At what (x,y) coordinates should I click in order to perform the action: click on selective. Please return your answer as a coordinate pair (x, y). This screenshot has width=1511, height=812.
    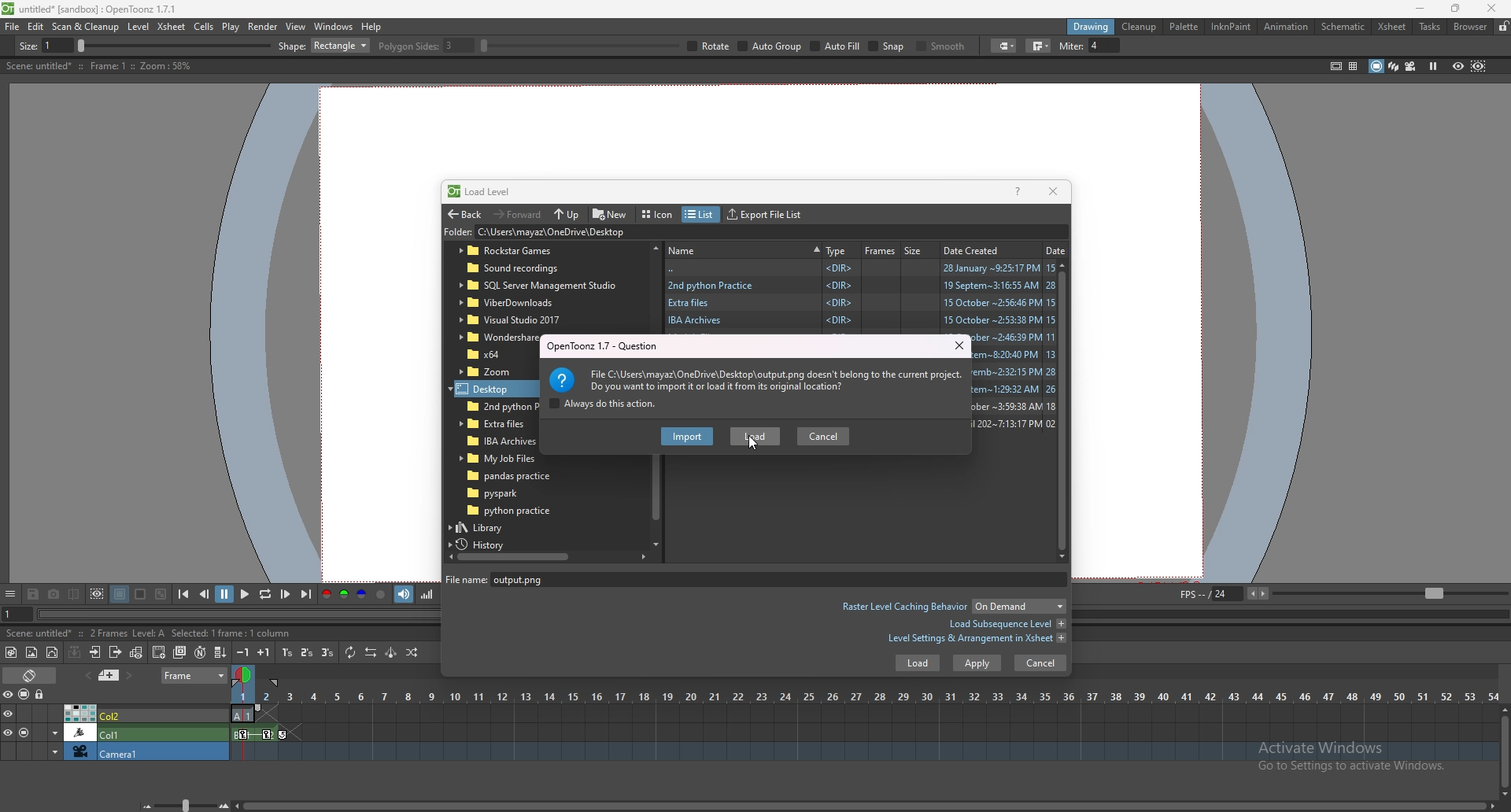
    Looking at the image, I should click on (1081, 46).